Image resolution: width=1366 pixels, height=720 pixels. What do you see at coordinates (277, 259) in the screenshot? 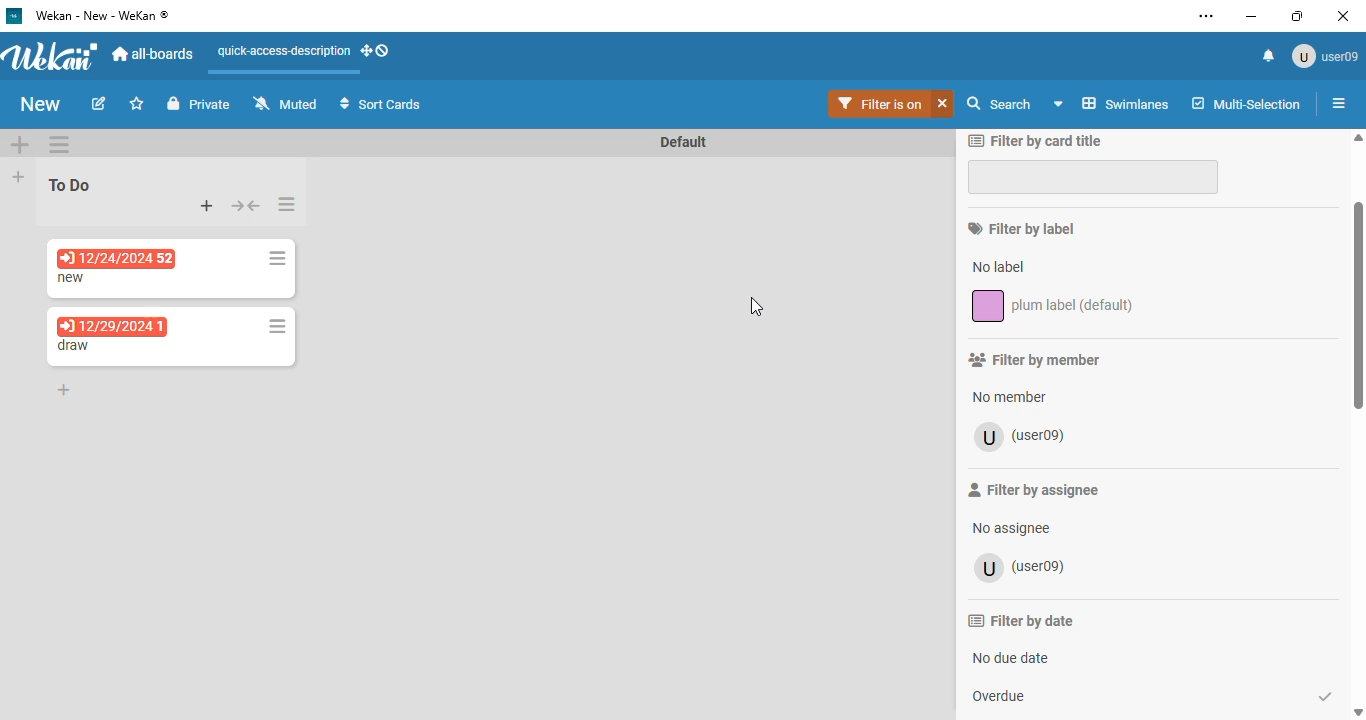
I see `card actions` at bounding box center [277, 259].